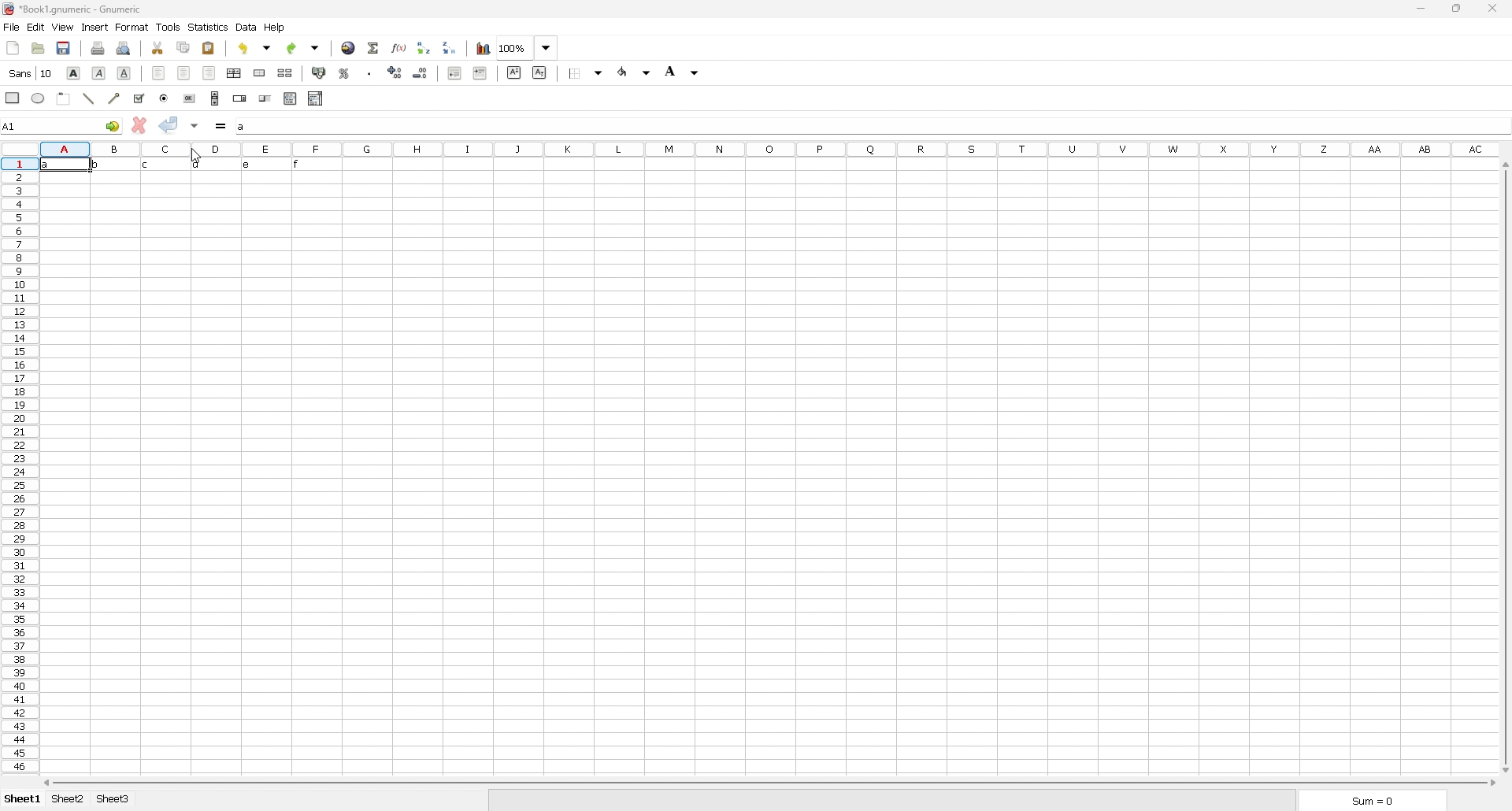 This screenshot has height=811, width=1512. What do you see at coordinates (208, 72) in the screenshot?
I see `right align` at bounding box center [208, 72].